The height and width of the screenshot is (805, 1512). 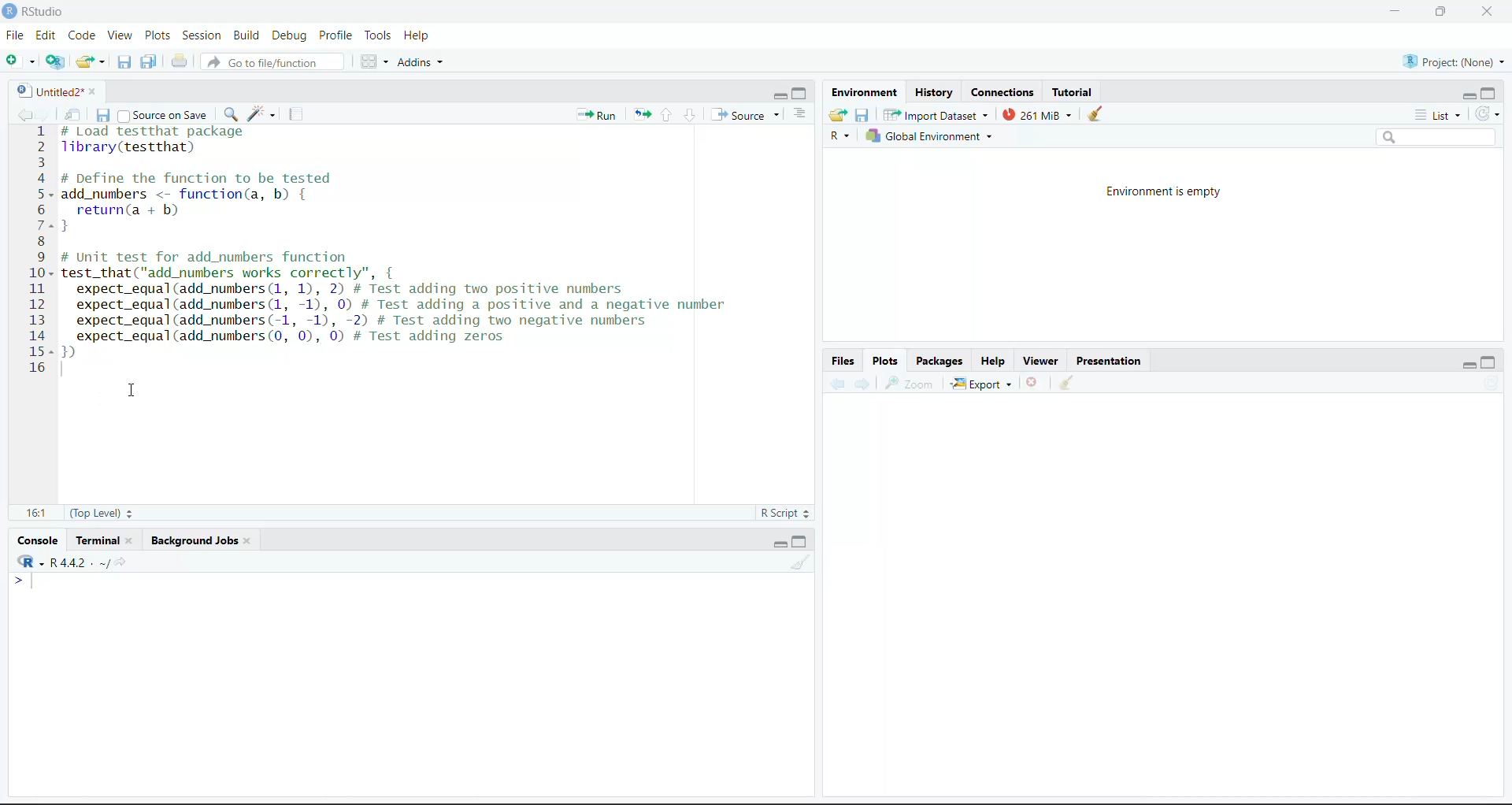 What do you see at coordinates (81, 35) in the screenshot?
I see `Code` at bounding box center [81, 35].